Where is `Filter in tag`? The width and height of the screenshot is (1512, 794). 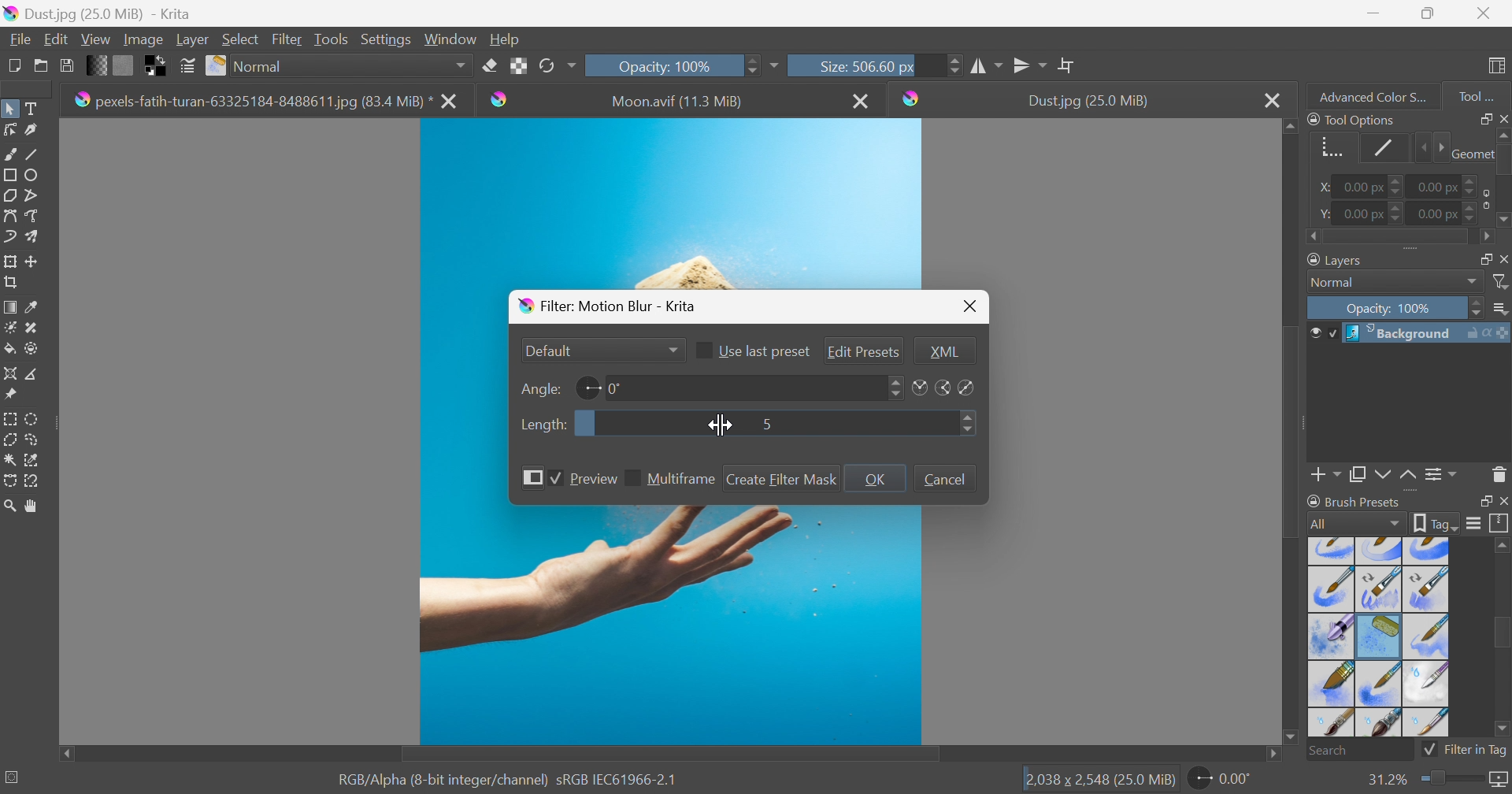 Filter in tag is located at coordinates (1466, 750).